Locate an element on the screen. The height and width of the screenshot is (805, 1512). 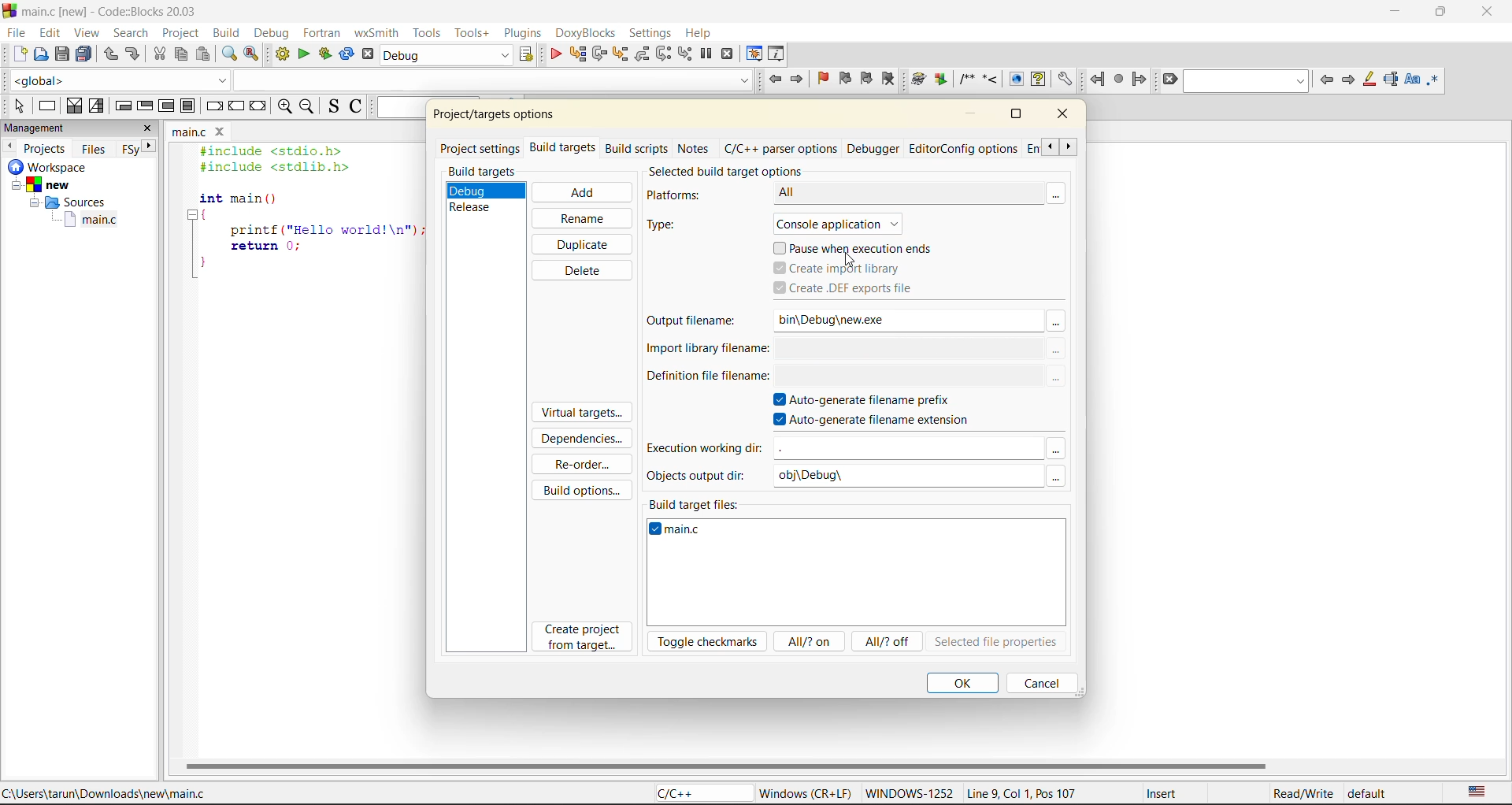
edit is located at coordinates (50, 32).